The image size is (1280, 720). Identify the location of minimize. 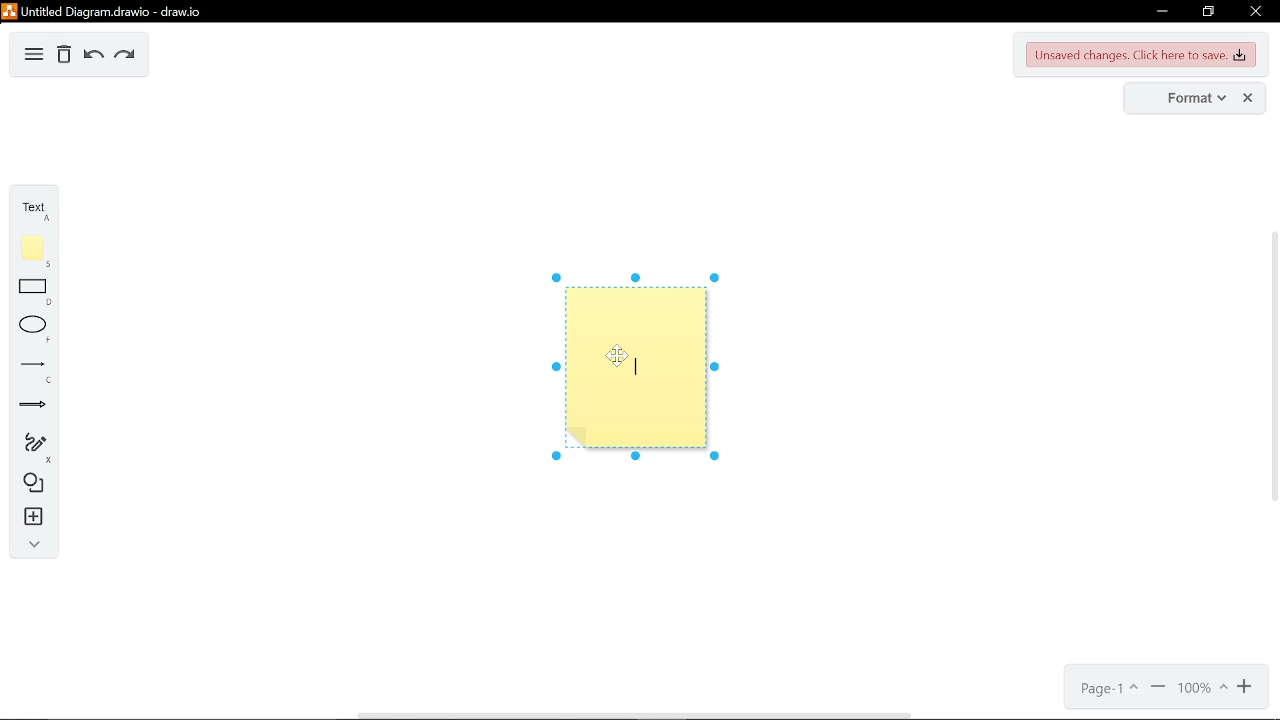
(1158, 12).